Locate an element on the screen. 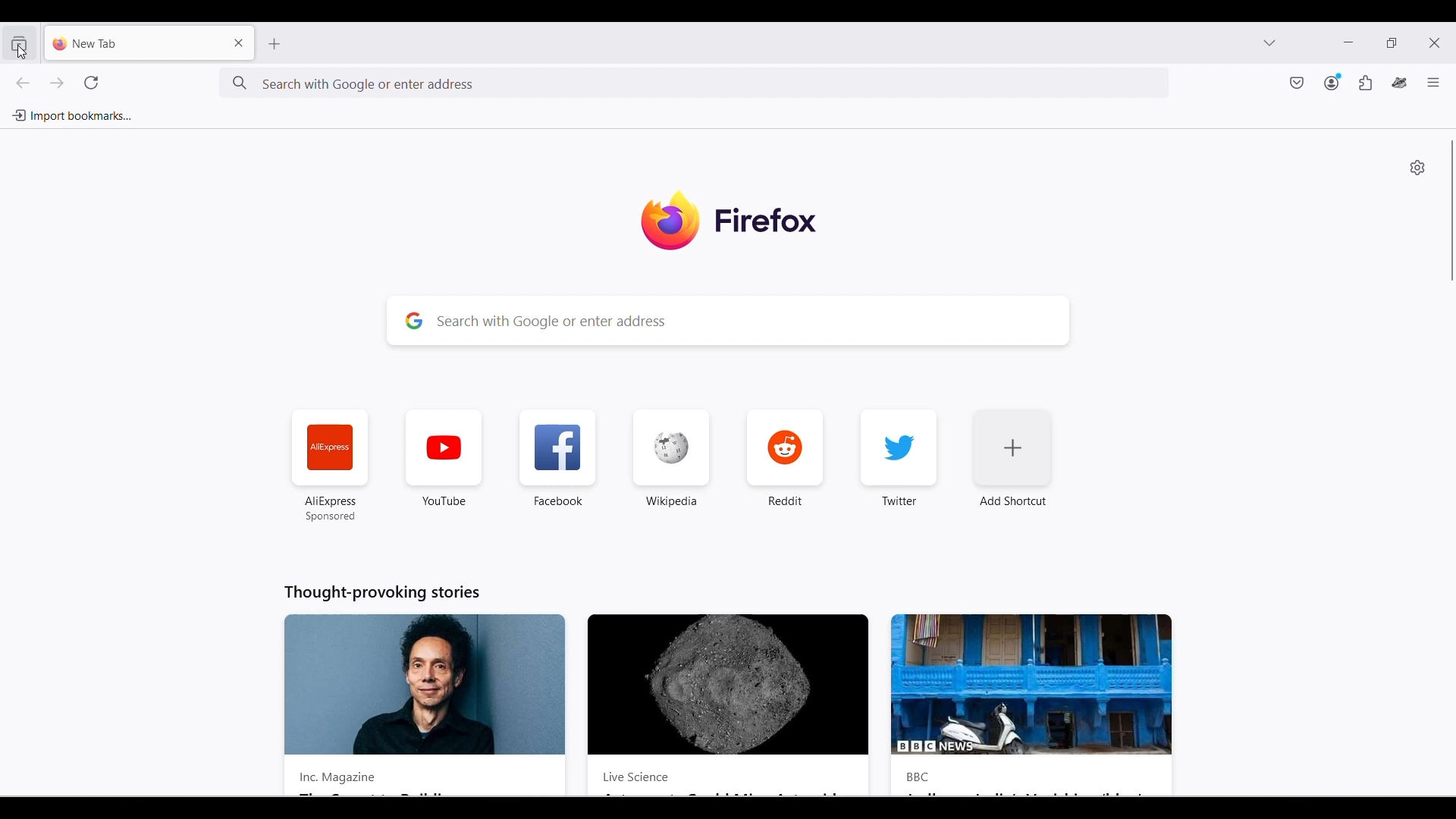 The height and width of the screenshot is (819, 1456). Close current tab is located at coordinates (240, 42).